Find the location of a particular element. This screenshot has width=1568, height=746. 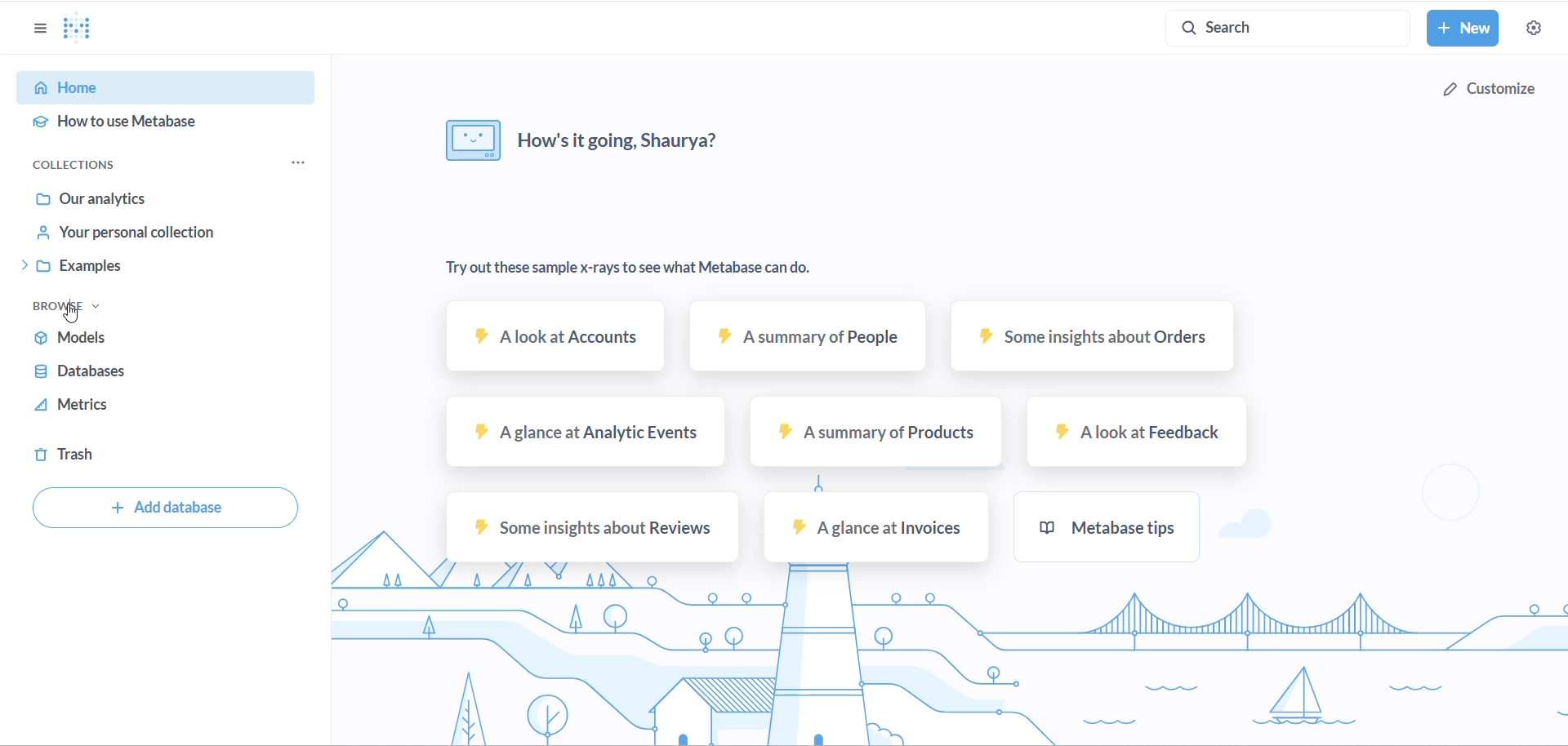

YOUR PERSONAL COLLECTION is located at coordinates (145, 235).